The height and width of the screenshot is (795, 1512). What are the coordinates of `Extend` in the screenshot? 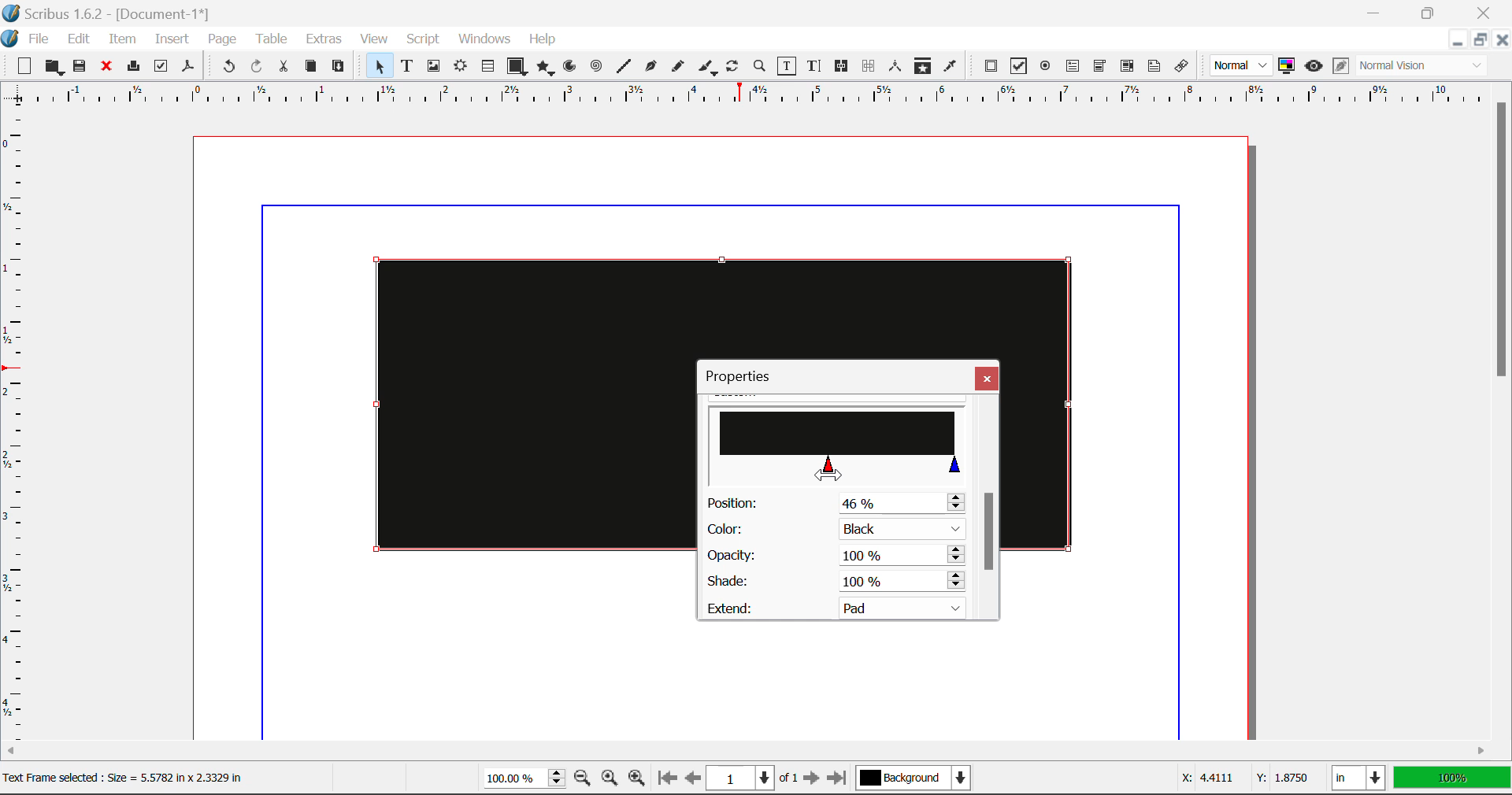 It's located at (841, 606).